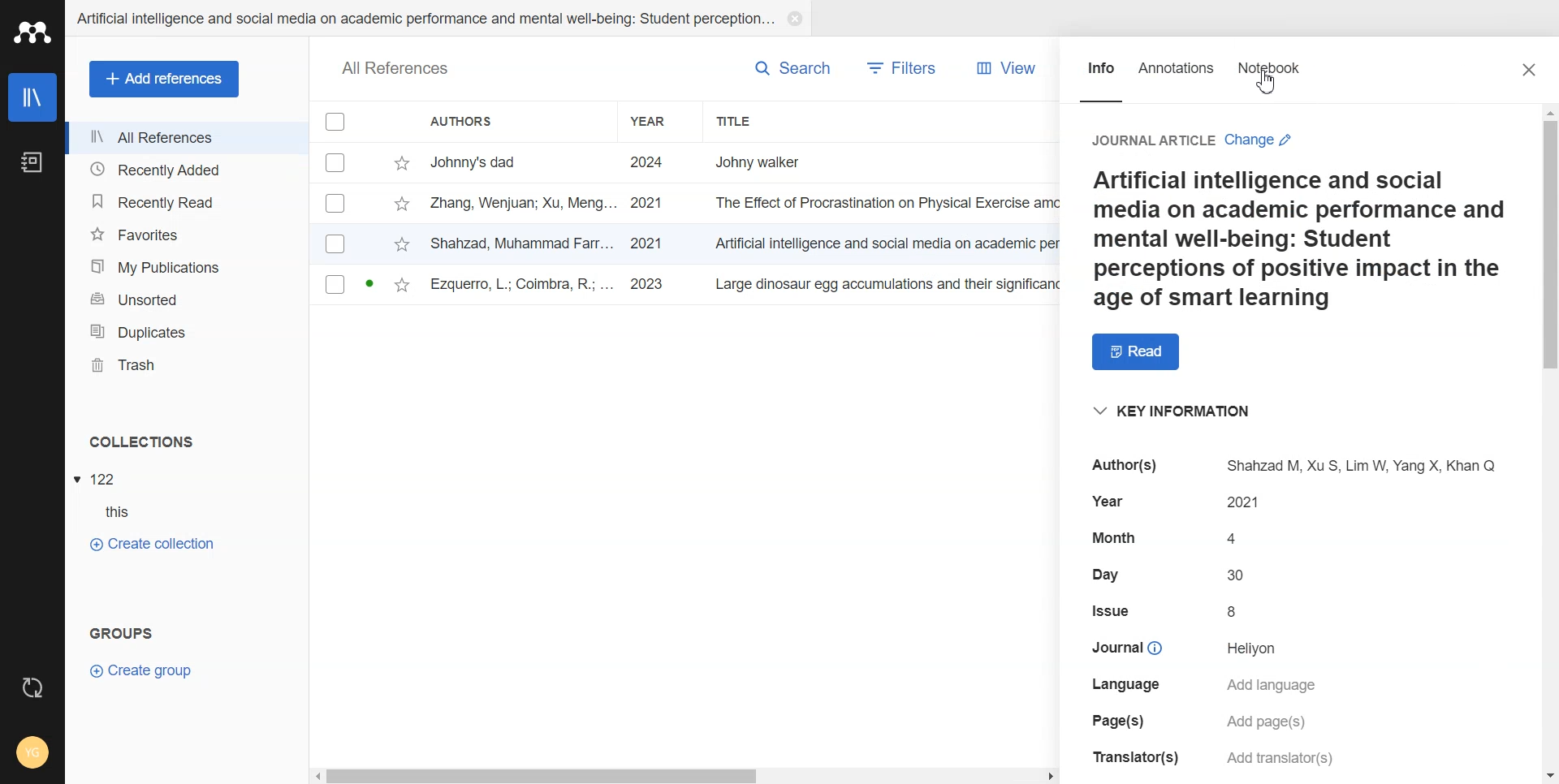 The height and width of the screenshot is (784, 1559). What do you see at coordinates (890, 241) in the screenshot?
I see `Artificial intelligence and social media on academic per` at bounding box center [890, 241].